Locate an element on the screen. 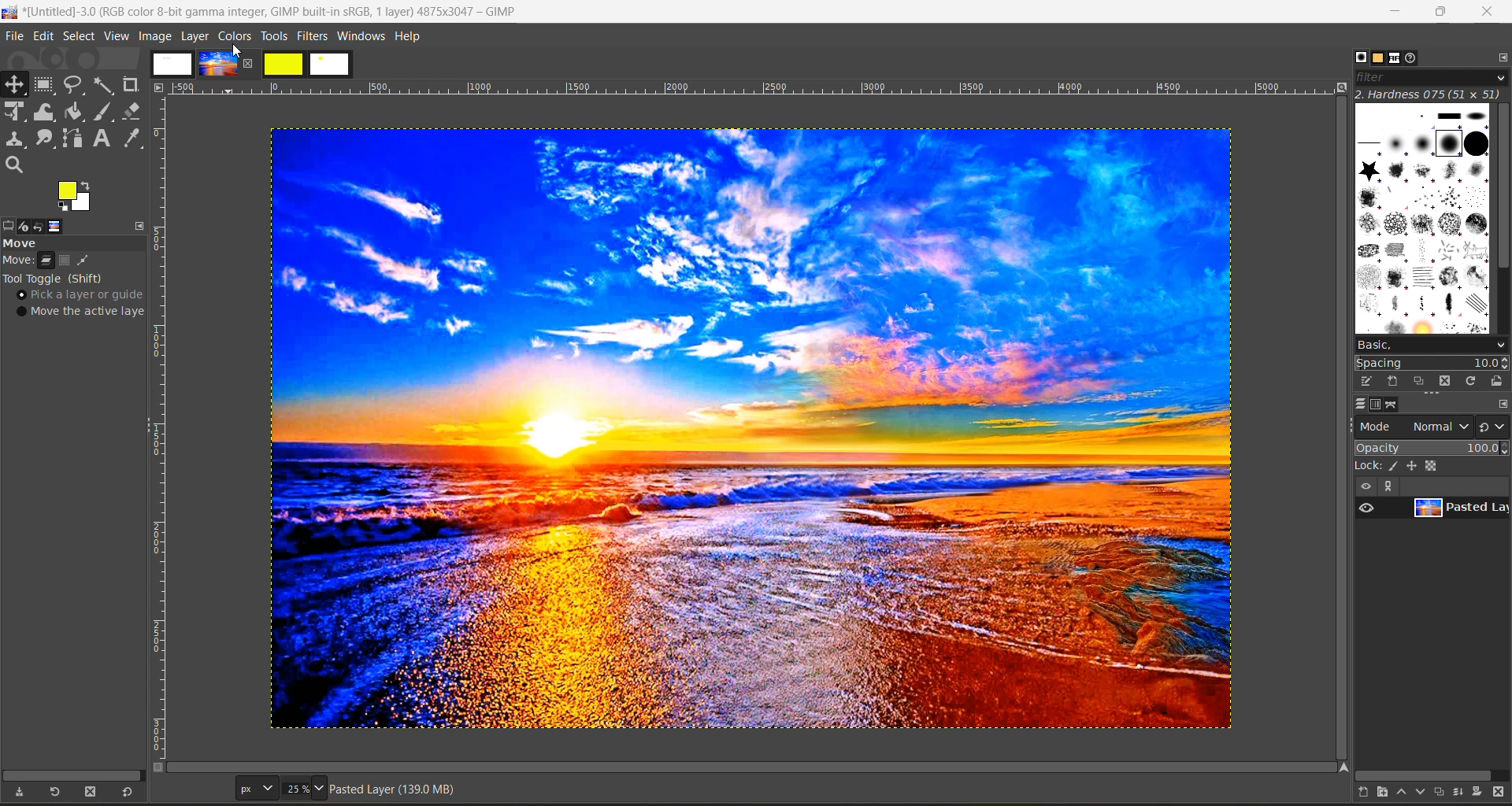 The image size is (1512, 806). raise this layer is located at coordinates (1406, 794).